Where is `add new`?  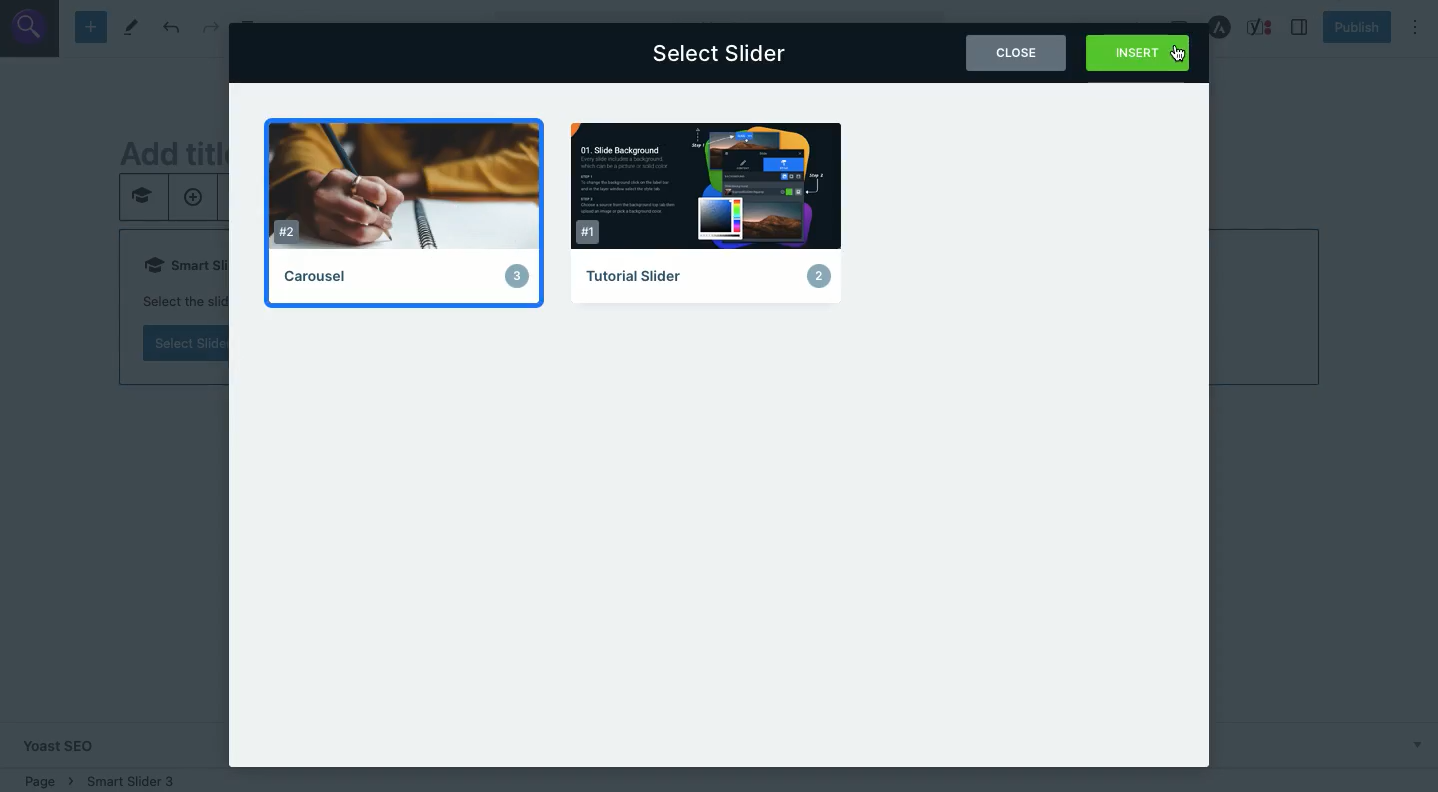 add new is located at coordinates (191, 197).